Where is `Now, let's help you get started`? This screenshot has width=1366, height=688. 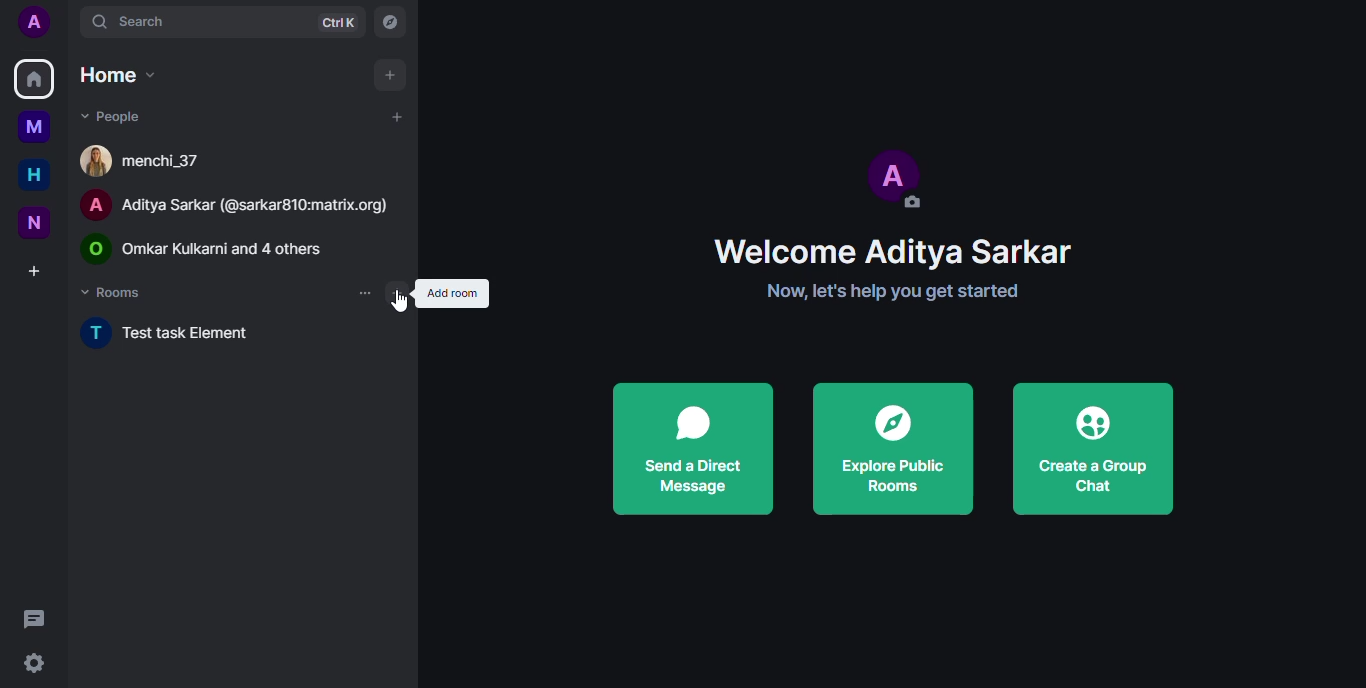
Now, let's help you get started is located at coordinates (849, 292).